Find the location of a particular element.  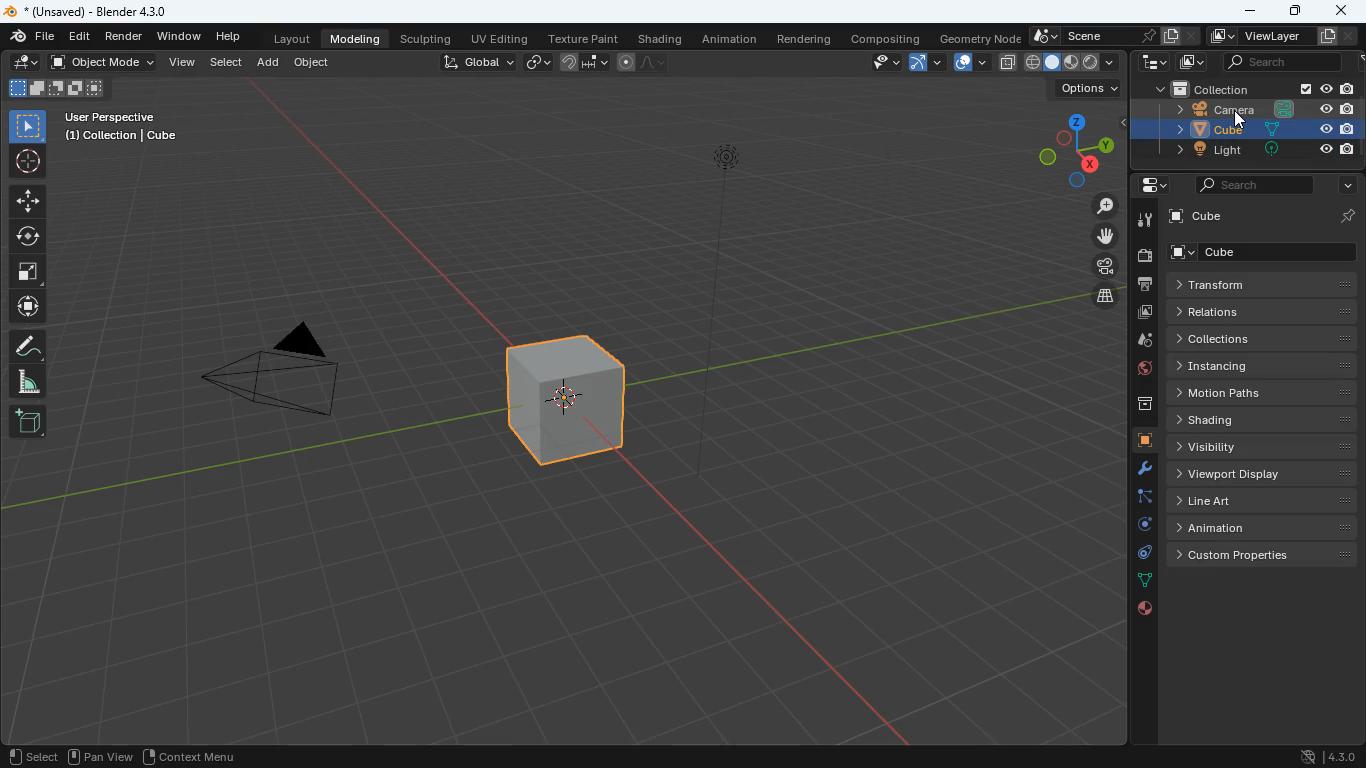

new is located at coordinates (28, 419).